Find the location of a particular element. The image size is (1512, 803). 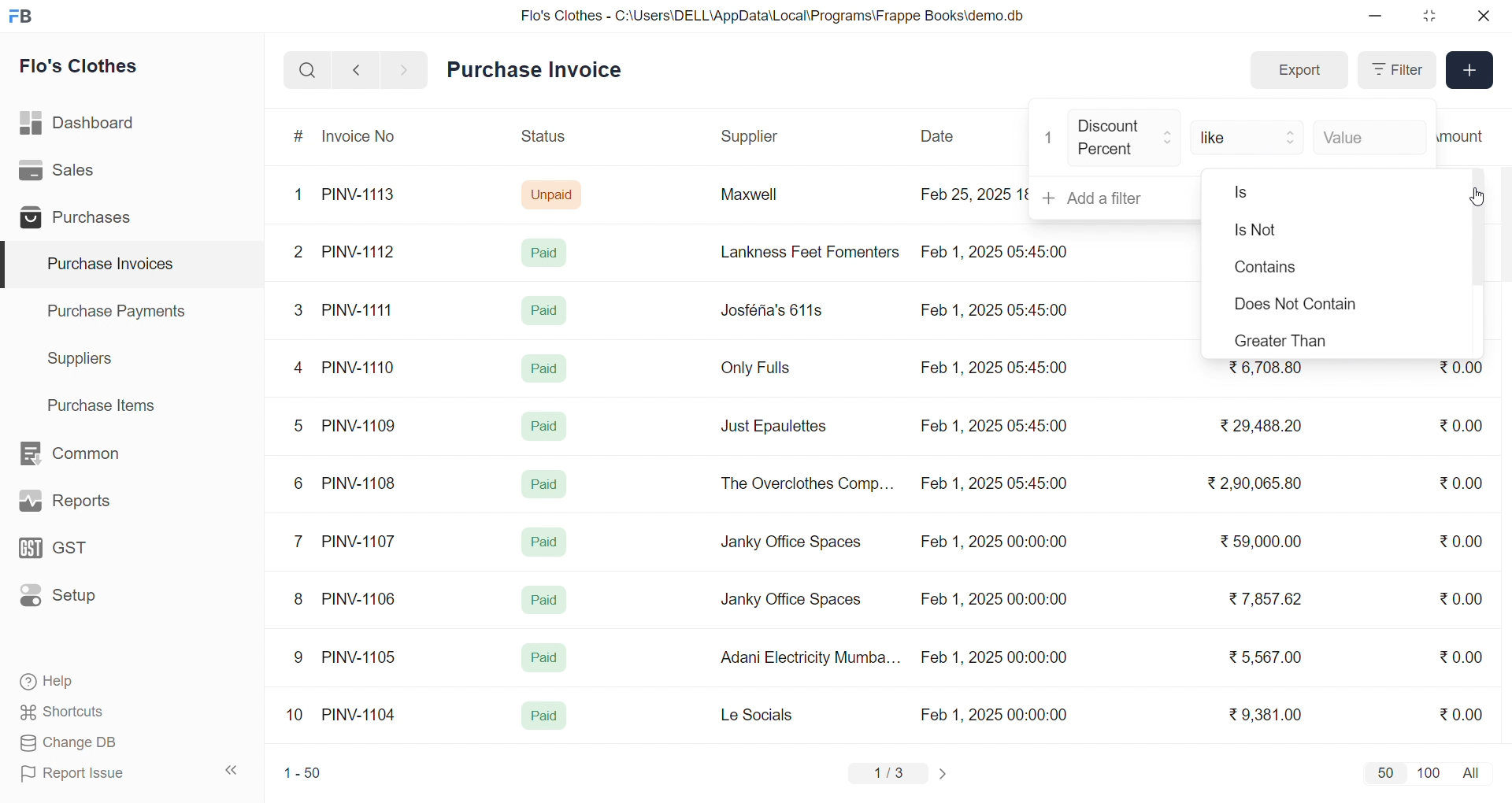

PINV-1107 is located at coordinates (362, 542).